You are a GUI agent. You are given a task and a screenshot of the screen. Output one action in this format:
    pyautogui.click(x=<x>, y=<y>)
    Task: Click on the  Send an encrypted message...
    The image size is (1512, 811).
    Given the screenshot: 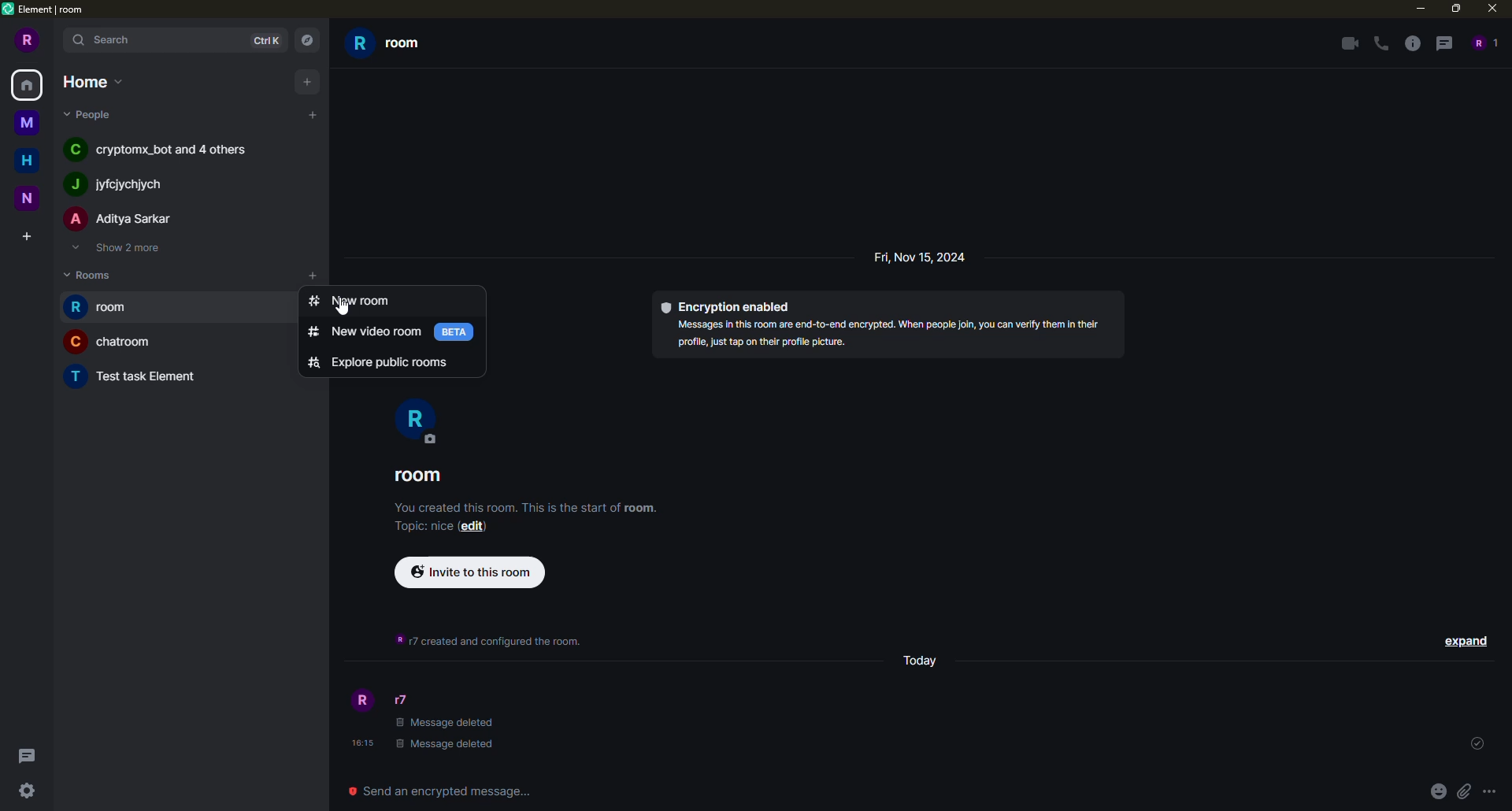 What is the action you would take?
    pyautogui.click(x=447, y=791)
    